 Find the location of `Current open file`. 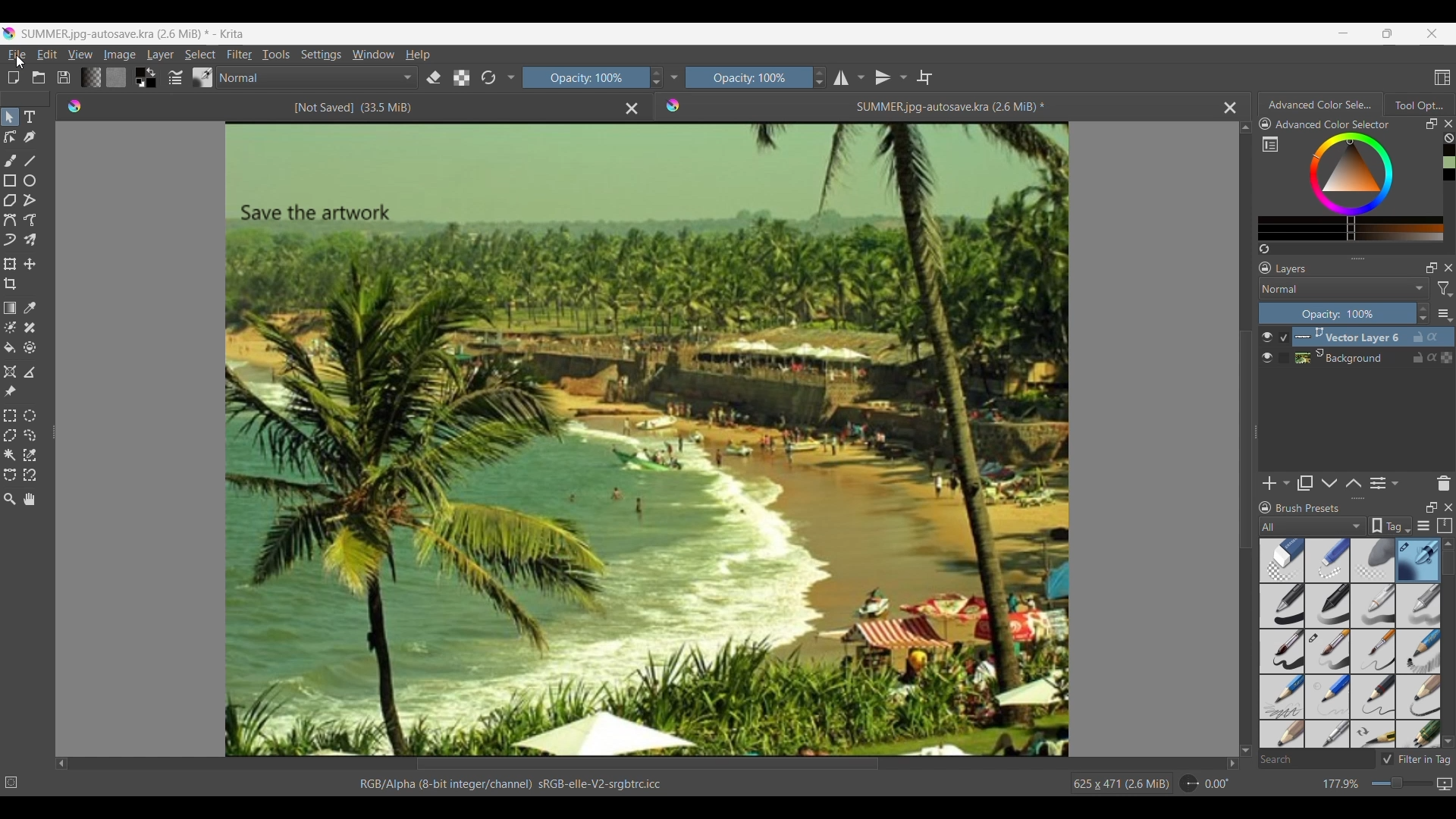

Current open file is located at coordinates (937, 107).